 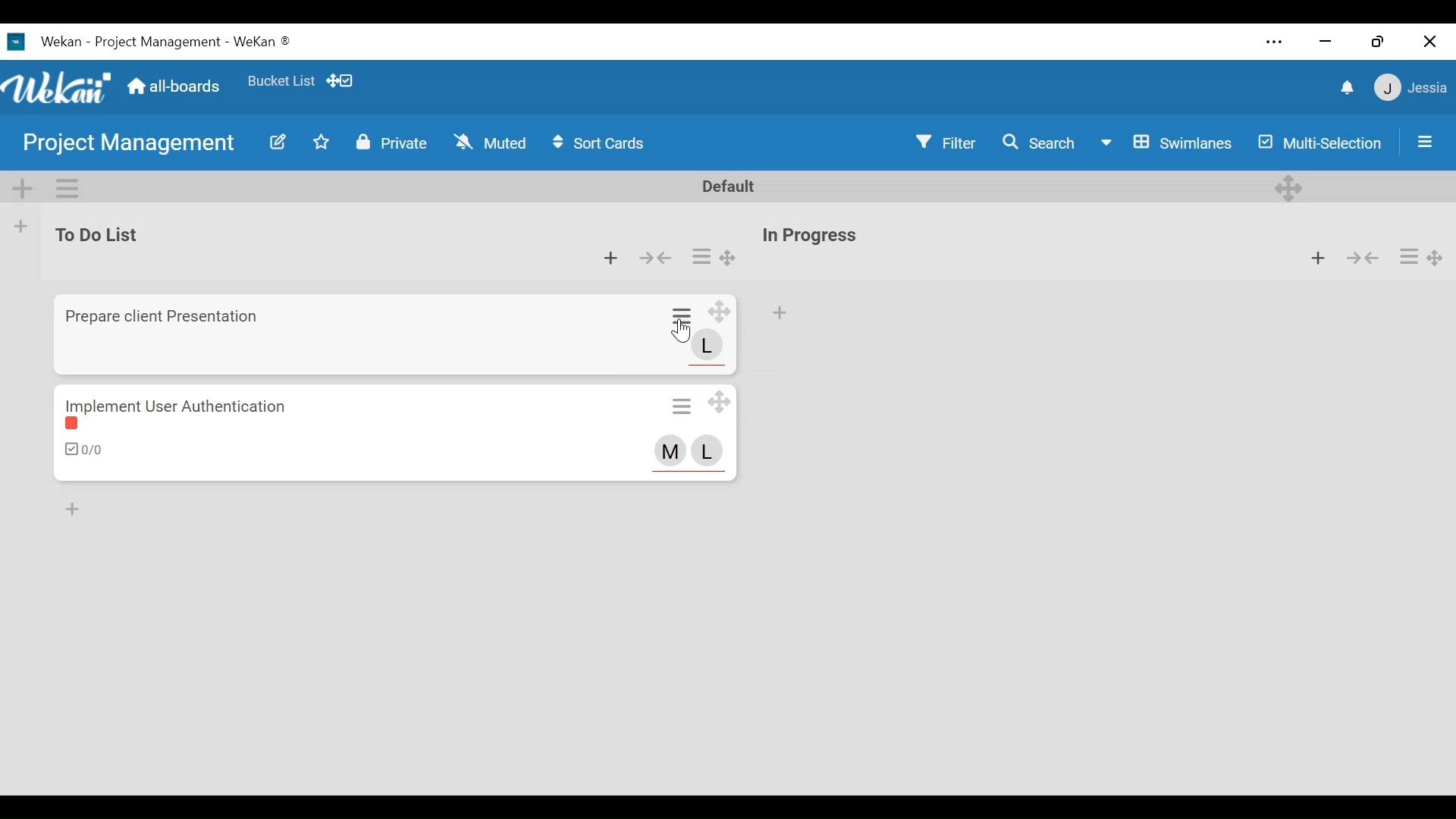 I want to click on notifications, so click(x=1346, y=88).